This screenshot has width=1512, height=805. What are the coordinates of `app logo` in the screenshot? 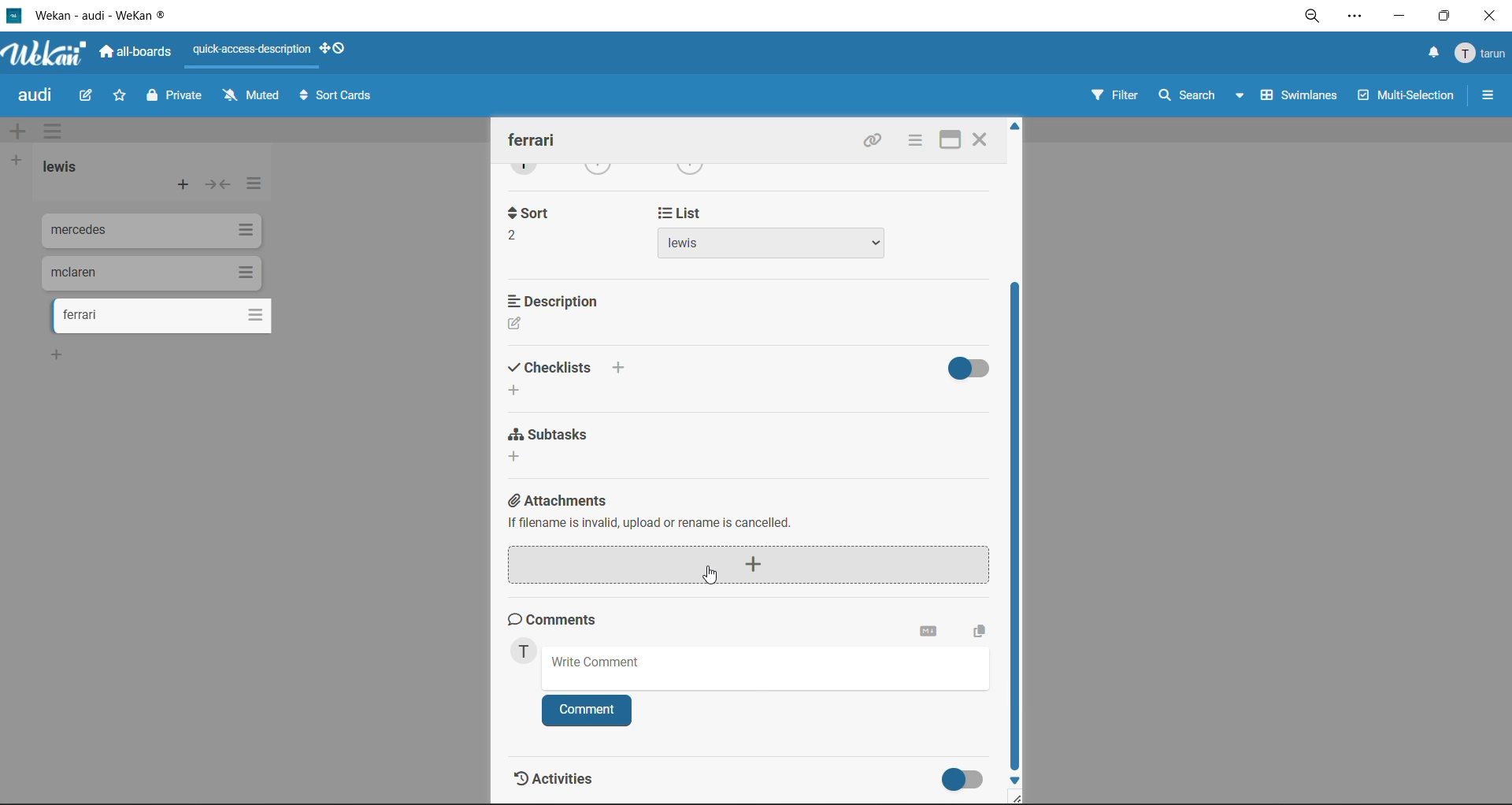 It's located at (53, 54).